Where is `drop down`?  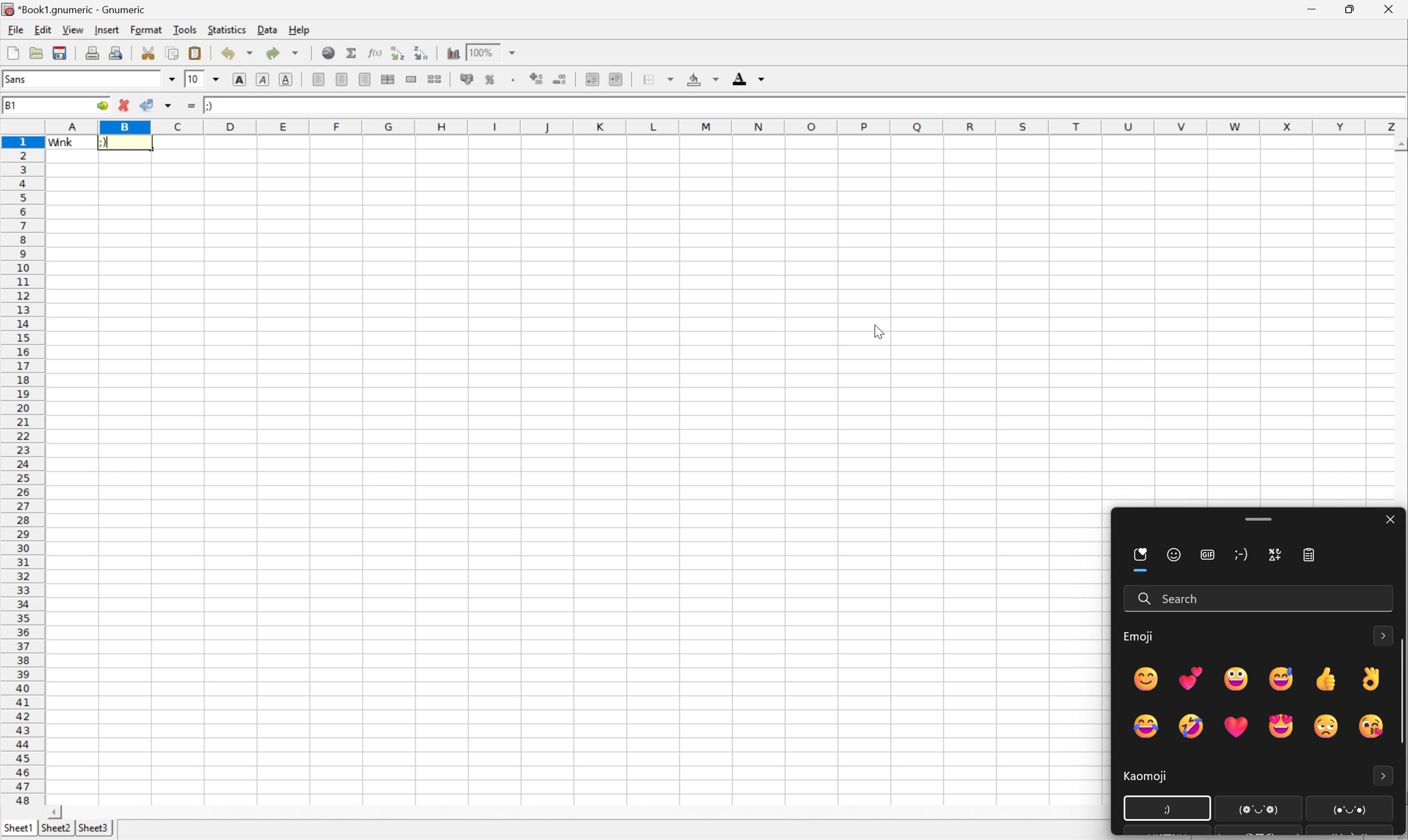
drop down is located at coordinates (514, 52).